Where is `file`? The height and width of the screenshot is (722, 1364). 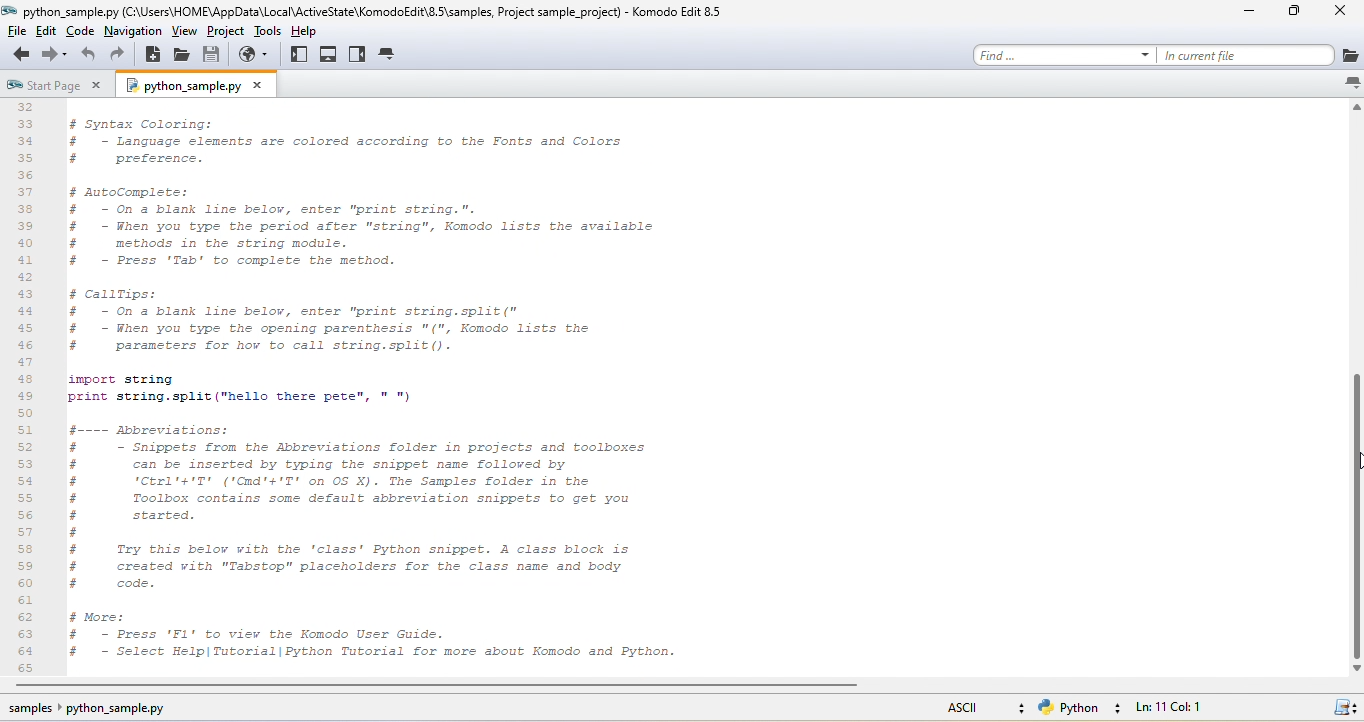
file is located at coordinates (21, 32).